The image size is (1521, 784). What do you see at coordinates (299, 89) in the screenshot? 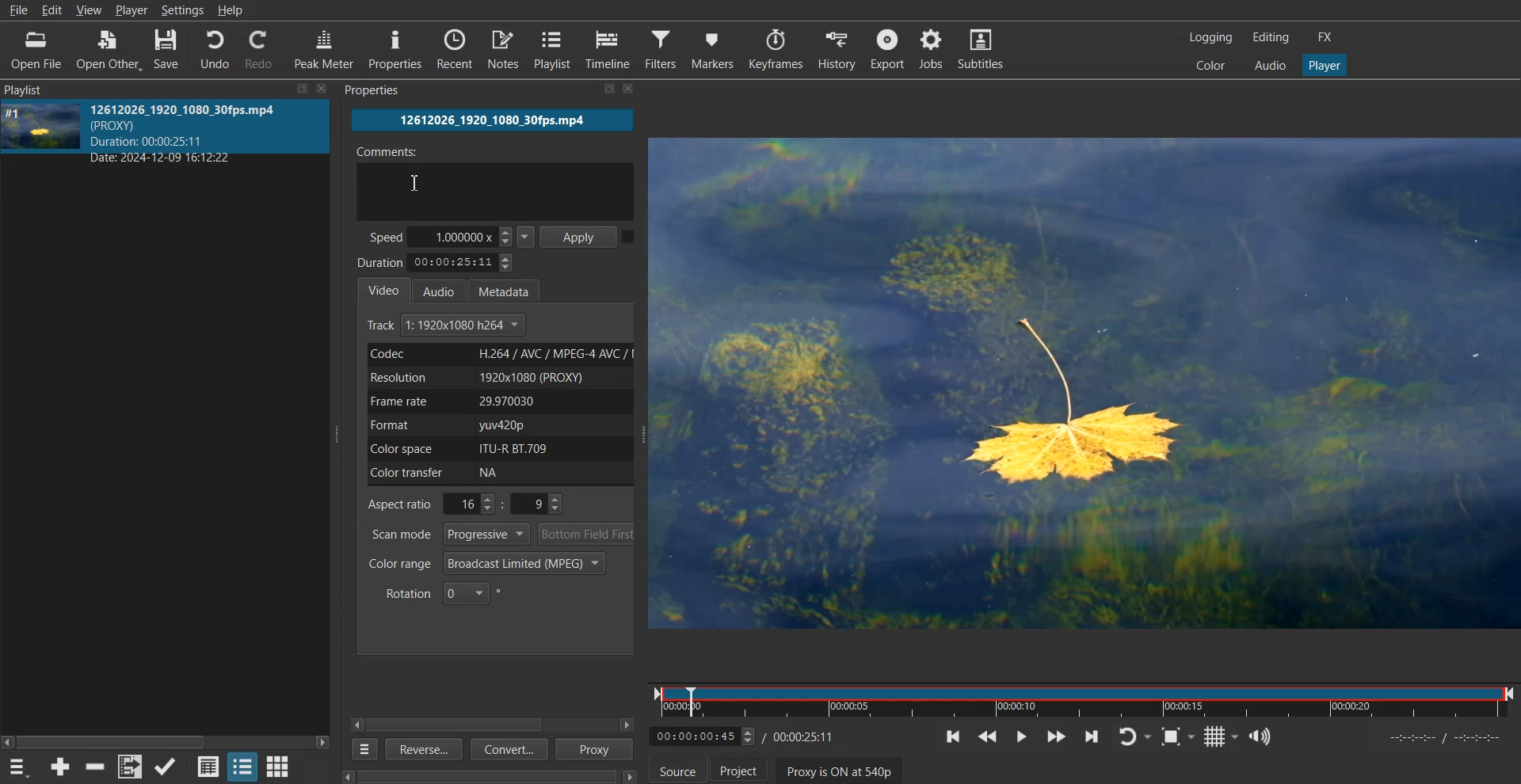
I see `resize` at bounding box center [299, 89].